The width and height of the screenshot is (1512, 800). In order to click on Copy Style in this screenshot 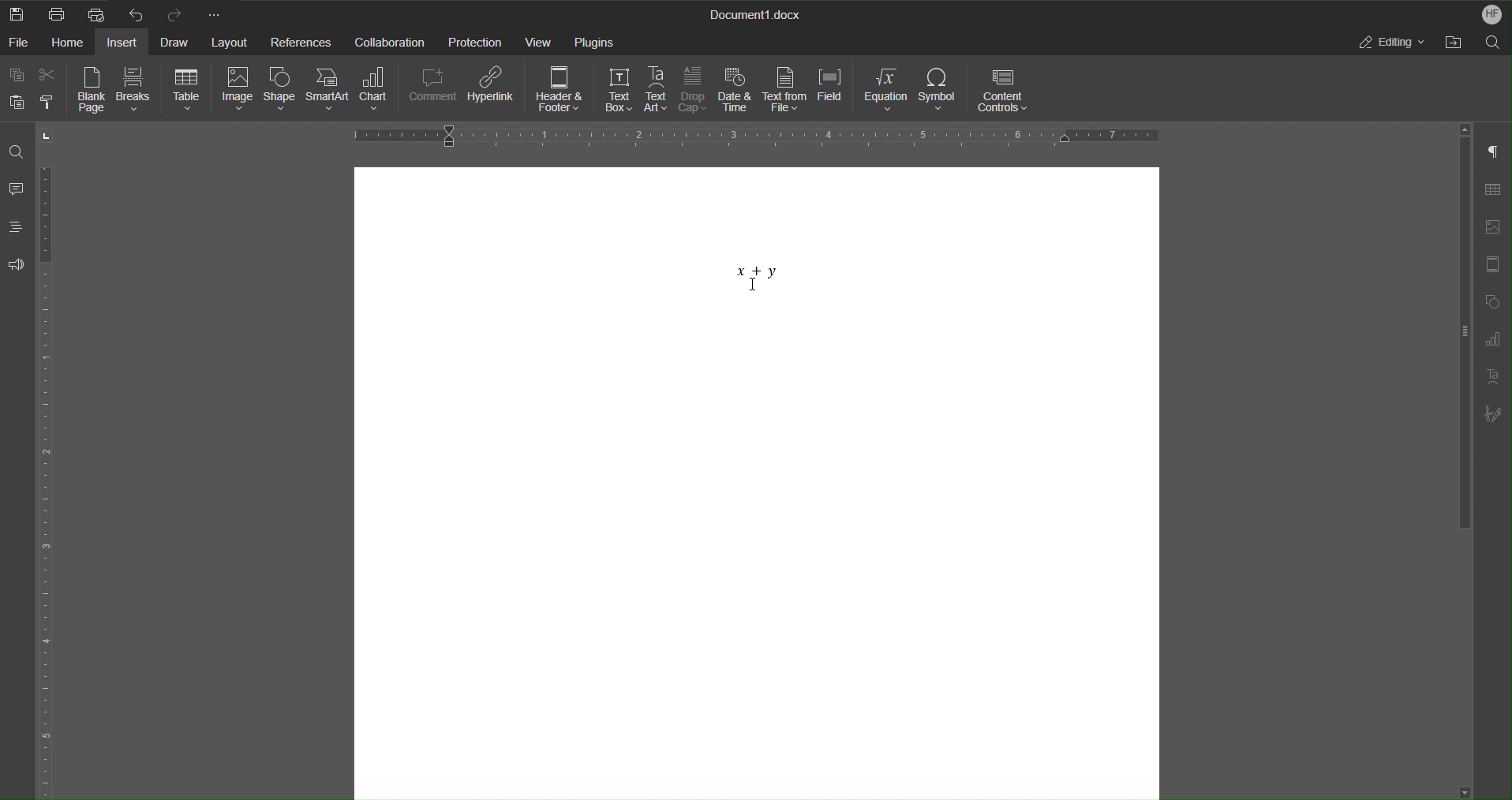, I will do `click(48, 103)`.